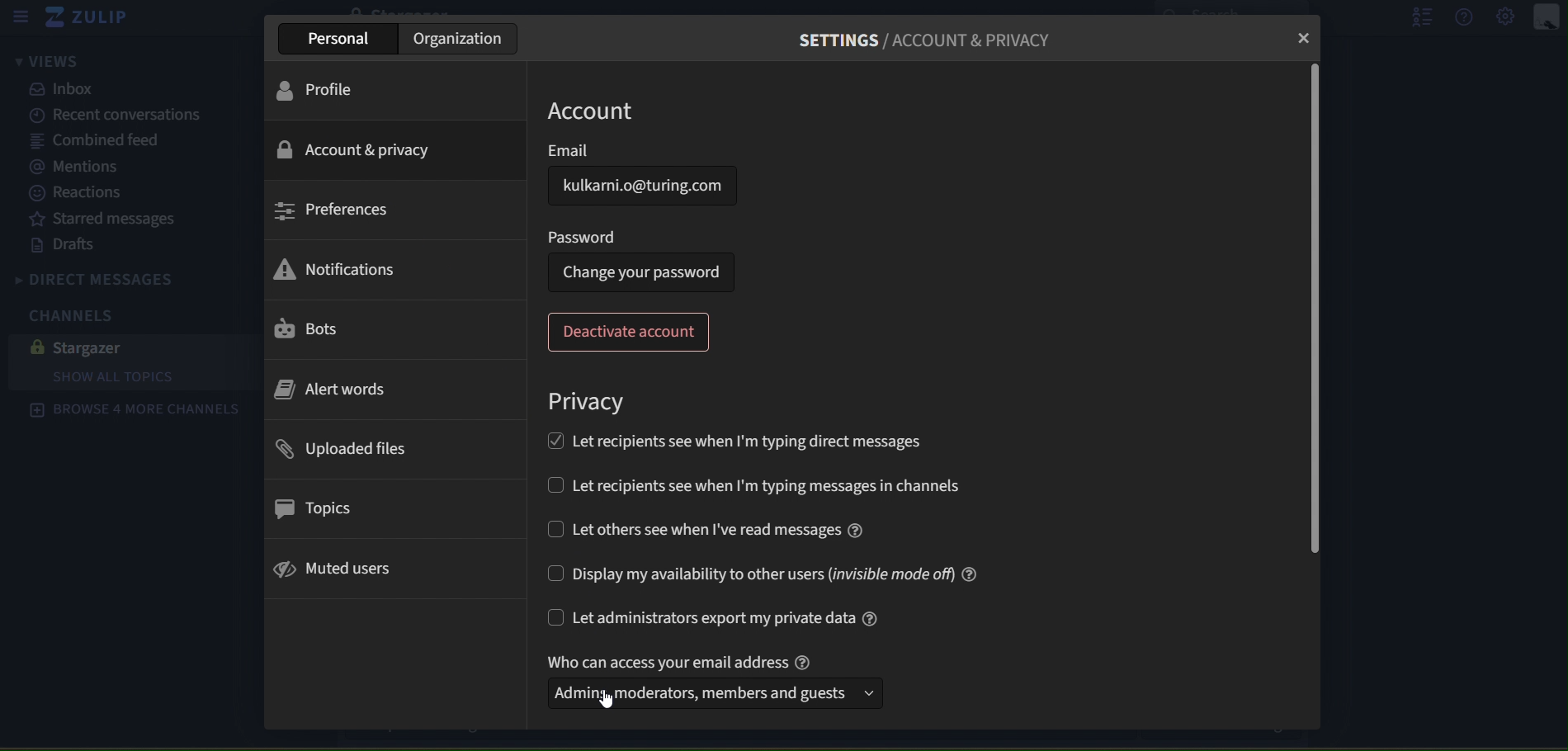 This screenshot has height=751, width=1568. Describe the element at coordinates (333, 391) in the screenshot. I see `alert words` at that location.